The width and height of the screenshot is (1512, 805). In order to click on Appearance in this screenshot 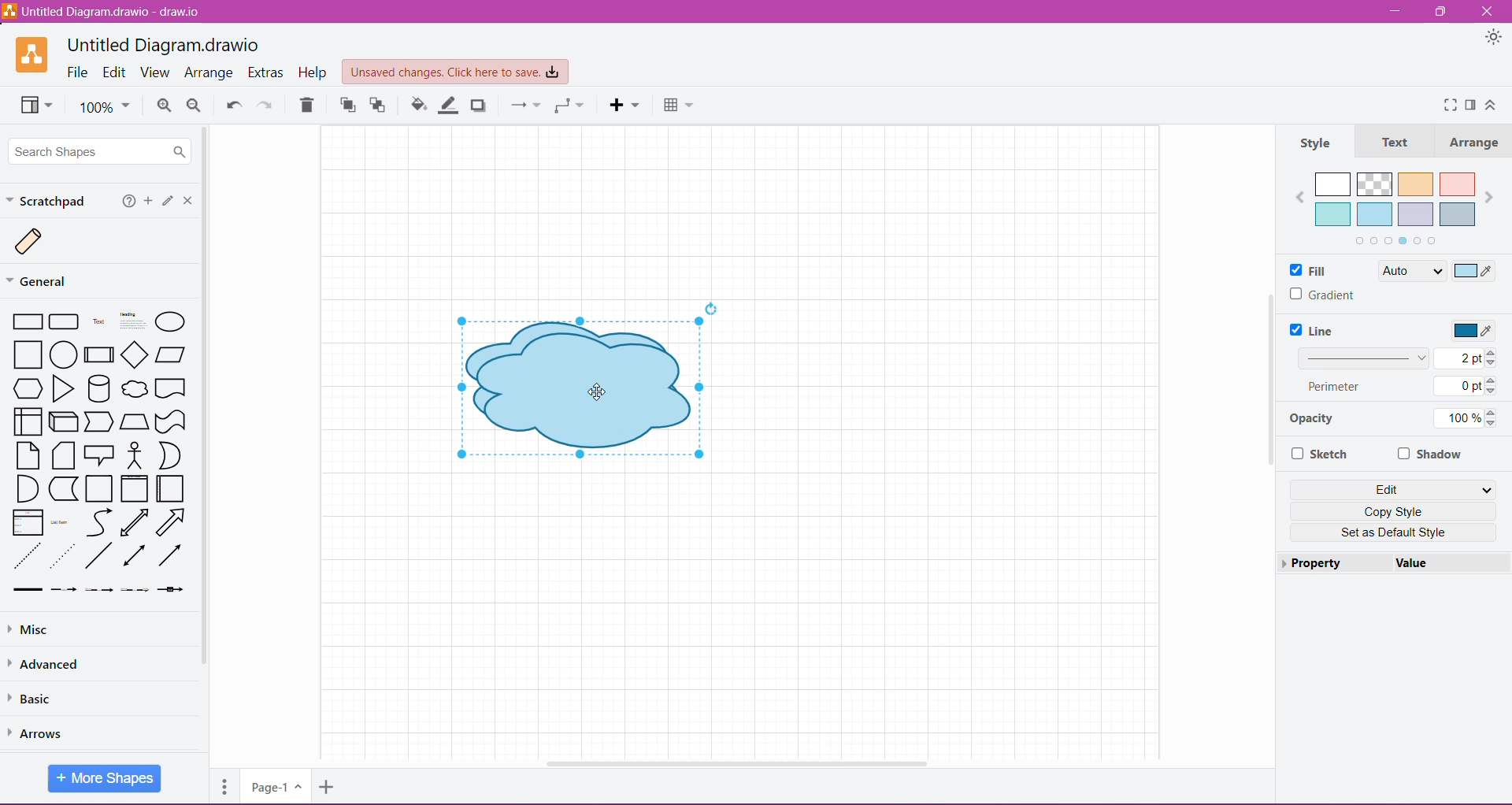, I will do `click(1493, 39)`.